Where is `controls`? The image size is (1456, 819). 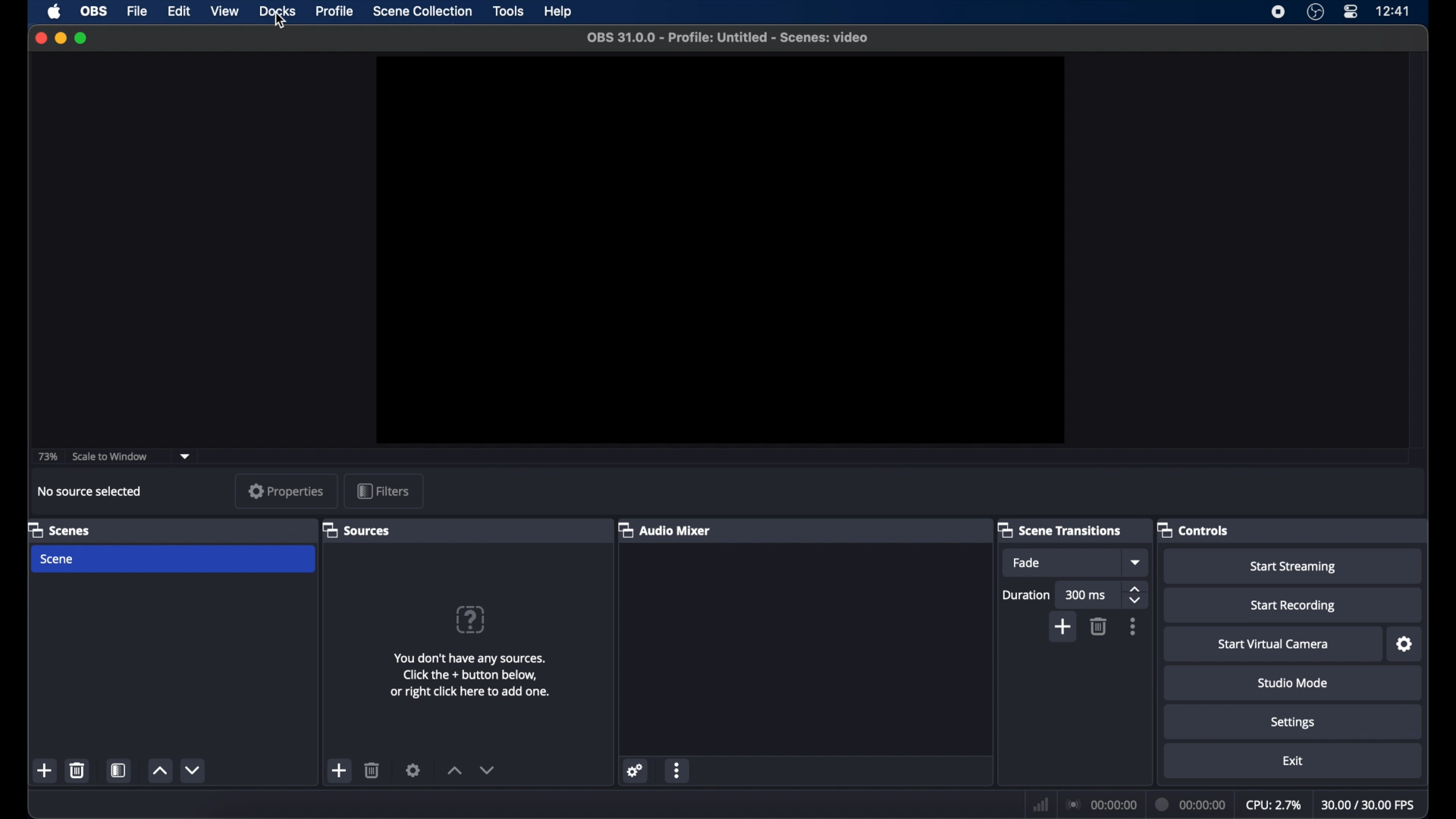 controls is located at coordinates (1195, 529).